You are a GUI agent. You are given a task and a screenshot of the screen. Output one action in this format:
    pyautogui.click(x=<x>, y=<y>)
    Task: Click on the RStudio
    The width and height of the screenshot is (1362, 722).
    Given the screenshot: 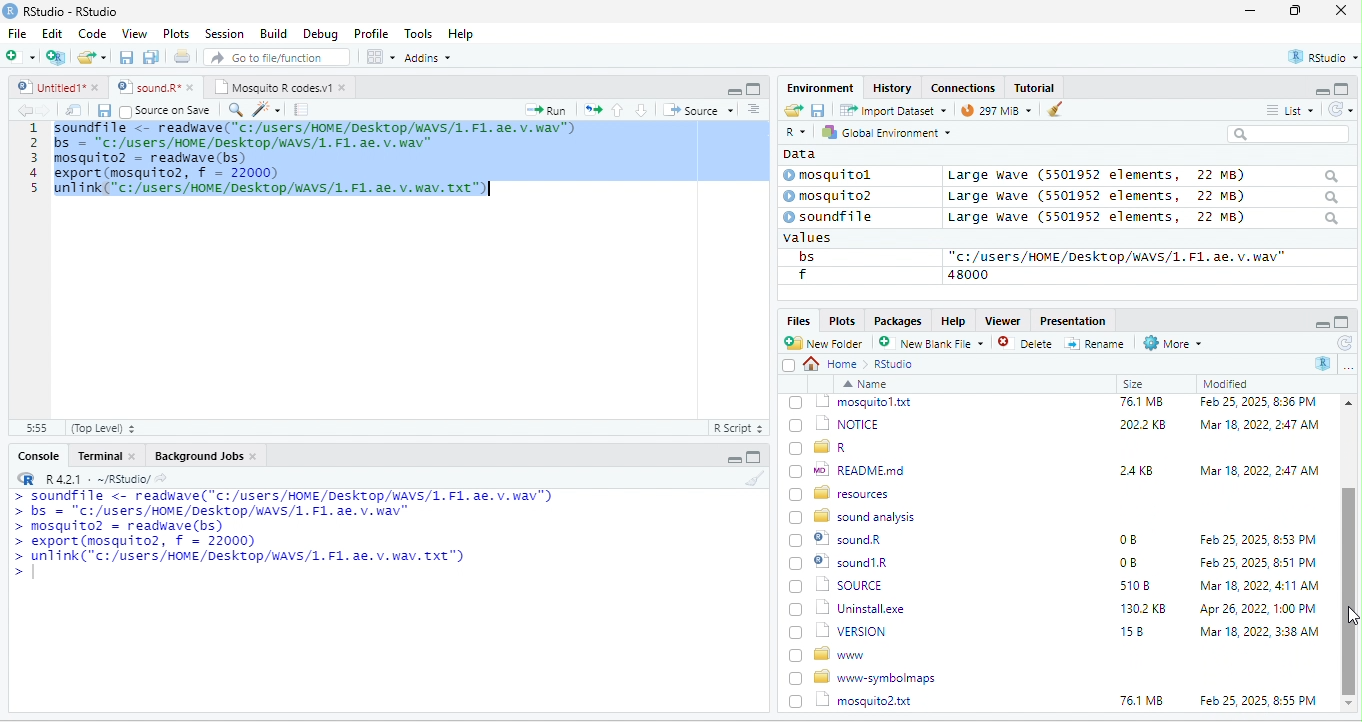 What is the action you would take?
    pyautogui.click(x=64, y=10)
    